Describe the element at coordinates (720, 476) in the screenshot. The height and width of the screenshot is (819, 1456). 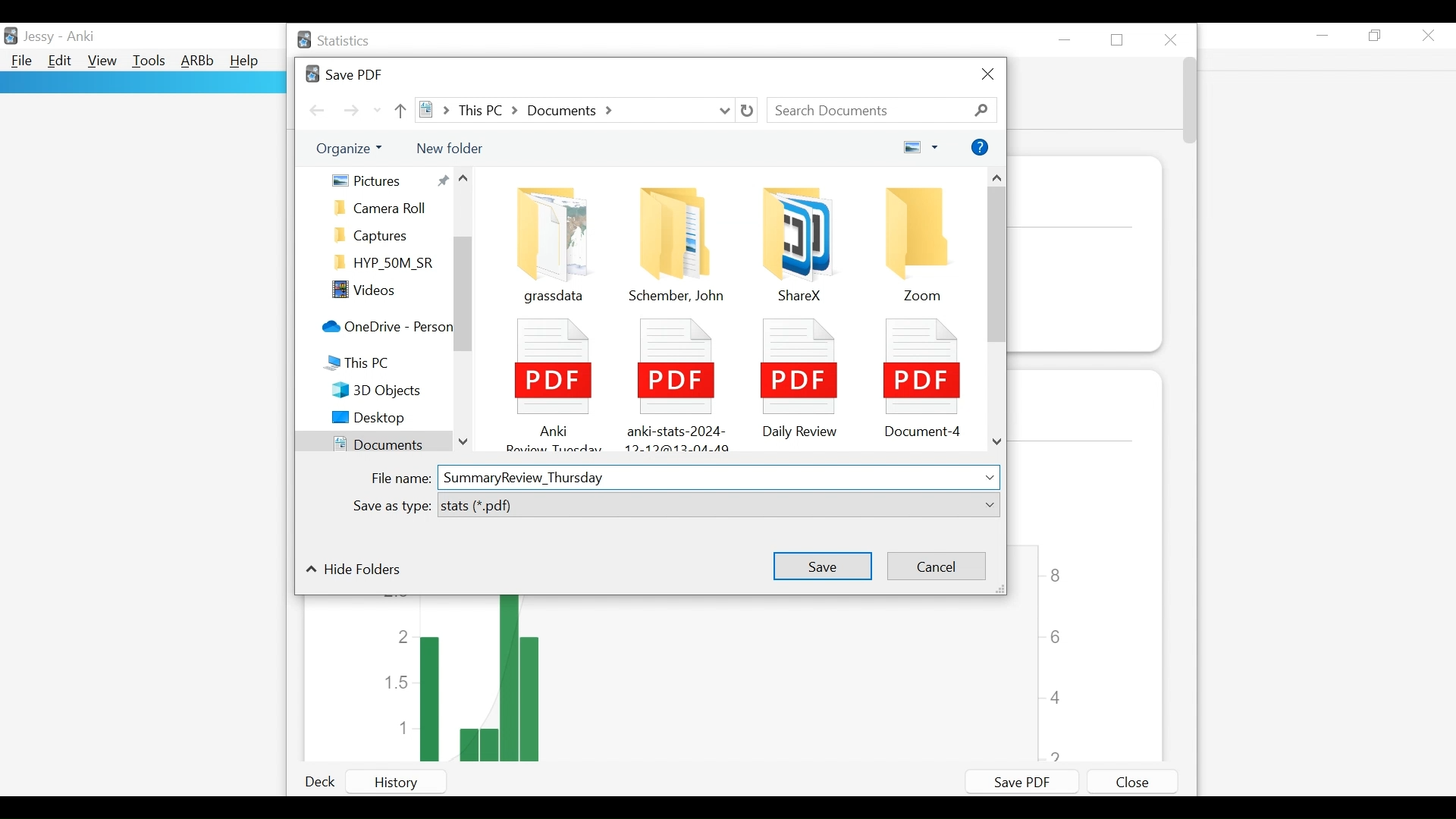
I see `File Name Field` at that location.